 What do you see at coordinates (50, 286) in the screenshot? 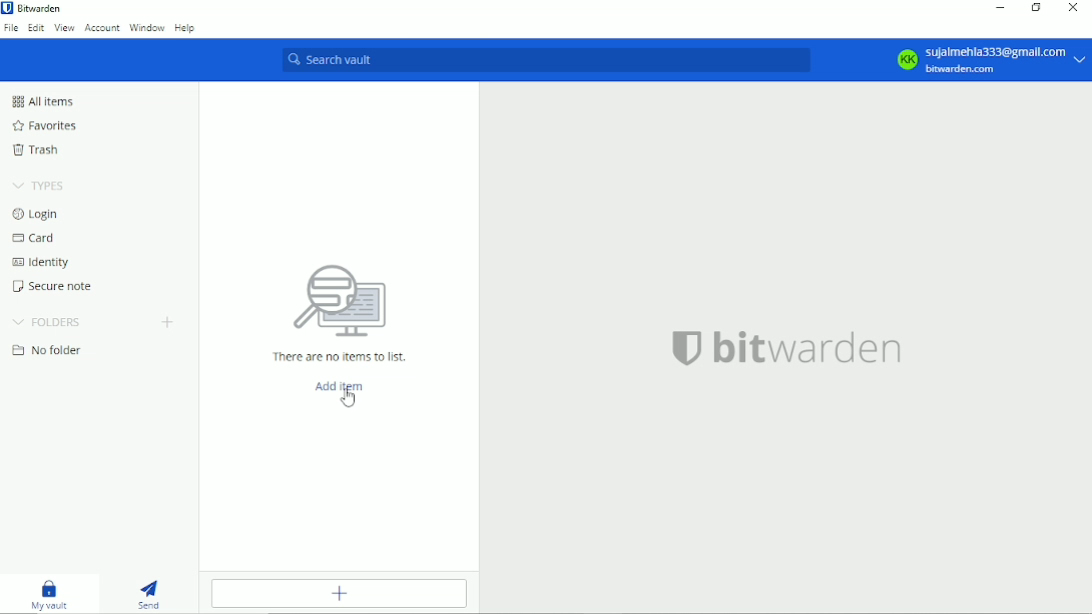
I see `Secure note` at bounding box center [50, 286].